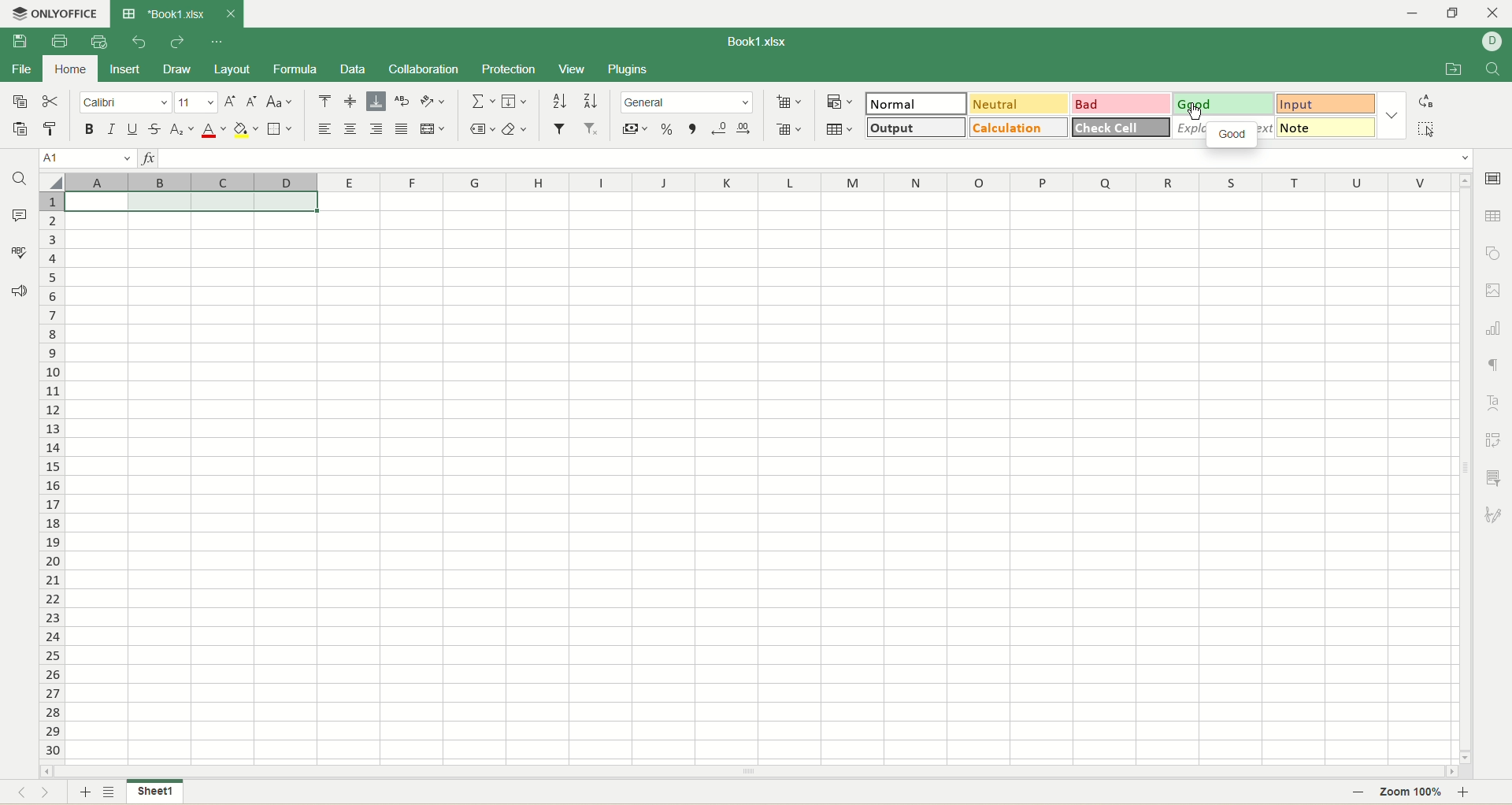 The height and width of the screenshot is (805, 1512). What do you see at coordinates (54, 101) in the screenshot?
I see `cut` at bounding box center [54, 101].